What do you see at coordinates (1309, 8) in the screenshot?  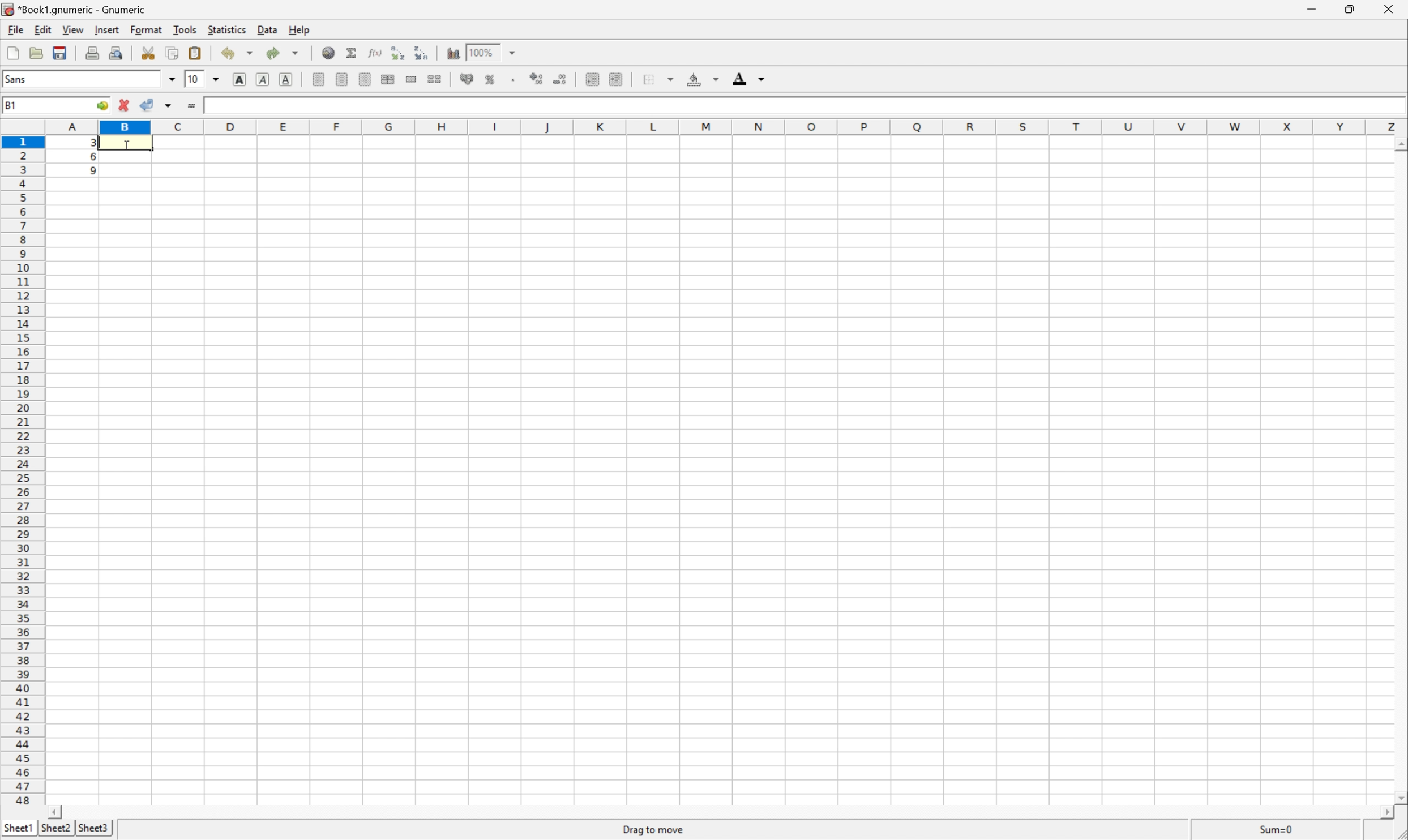 I see `Minimize` at bounding box center [1309, 8].